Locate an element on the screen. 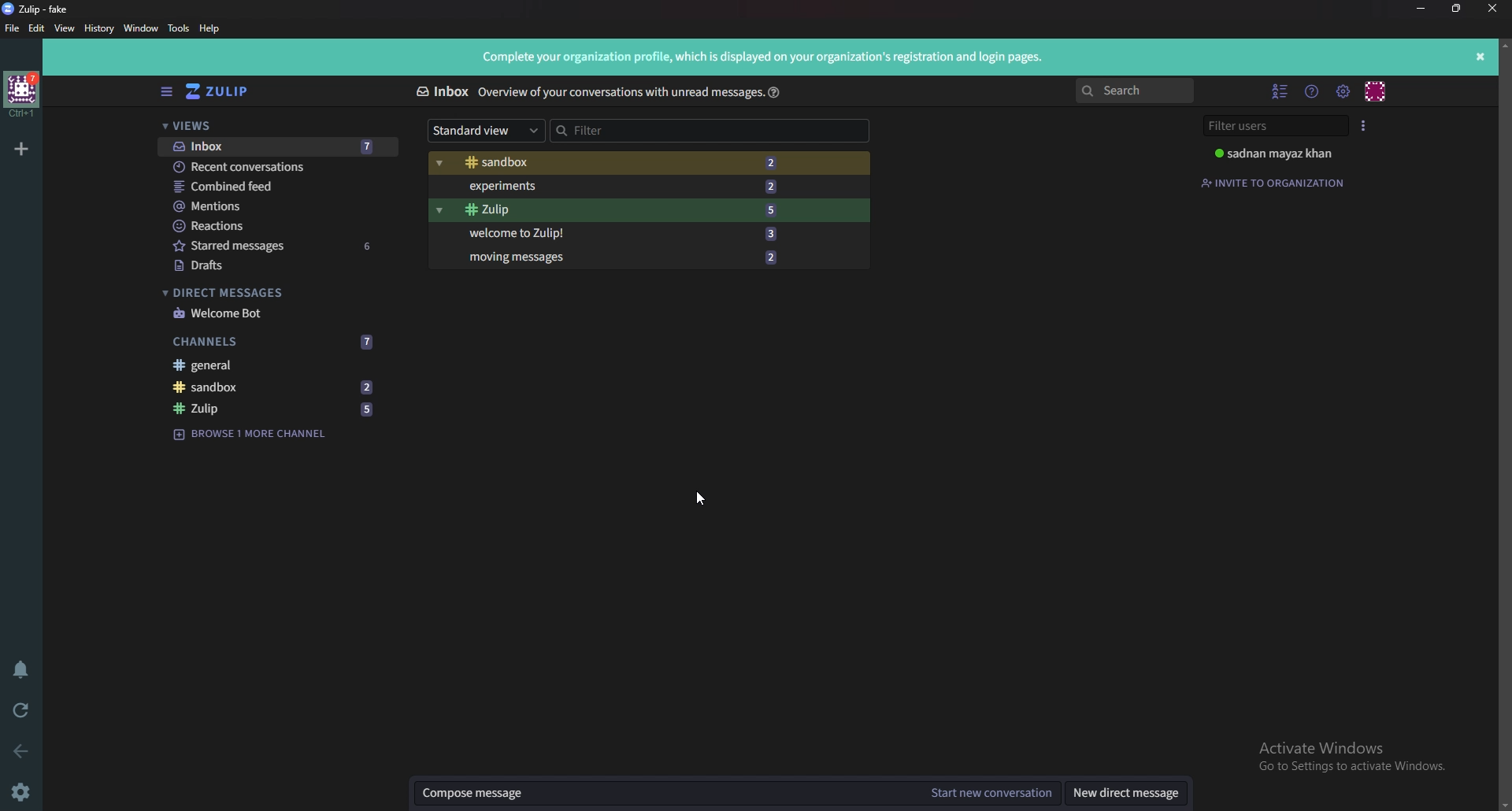  view is located at coordinates (66, 29).